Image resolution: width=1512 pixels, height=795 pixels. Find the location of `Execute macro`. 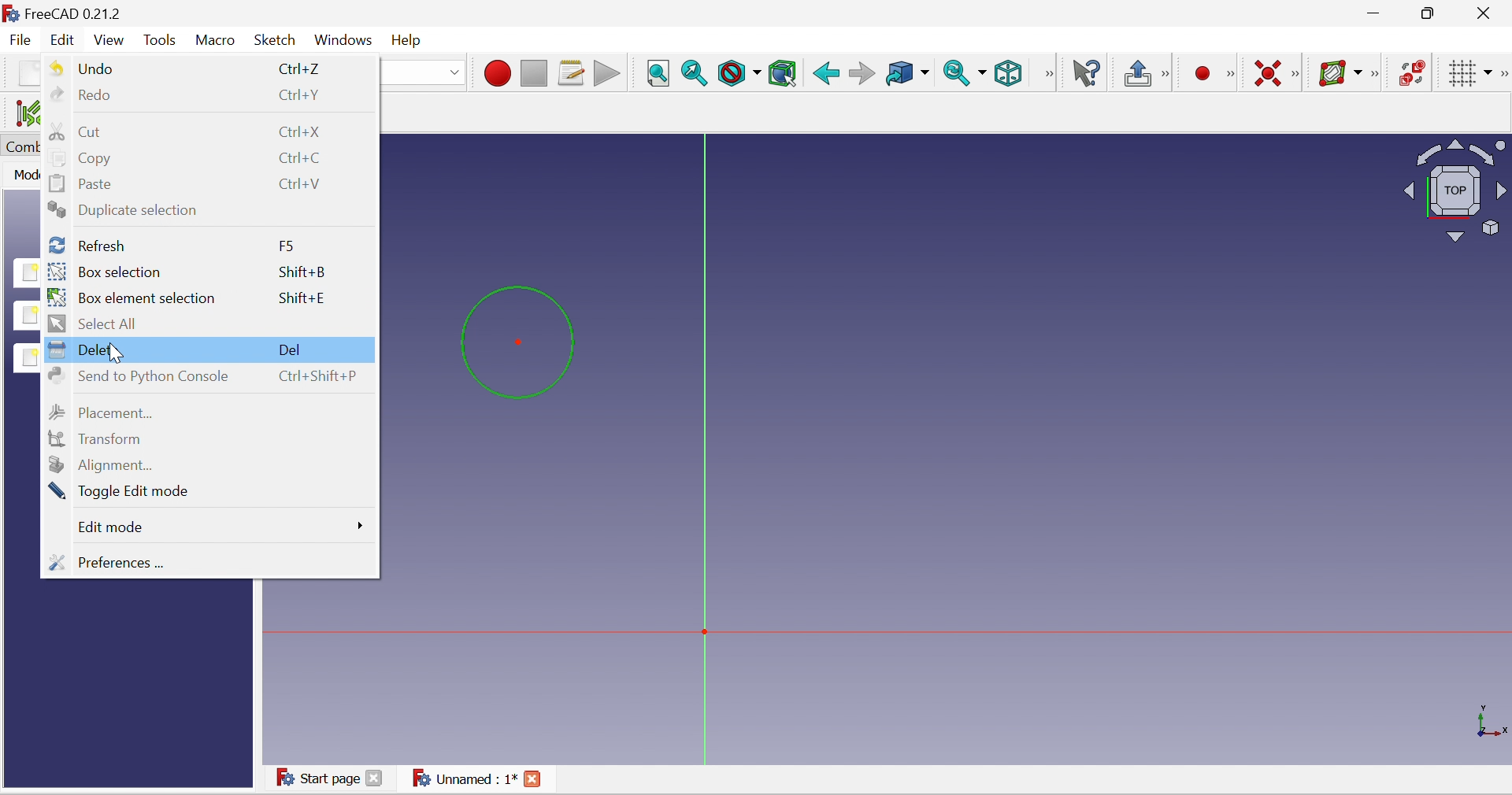

Execute macro is located at coordinates (607, 75).